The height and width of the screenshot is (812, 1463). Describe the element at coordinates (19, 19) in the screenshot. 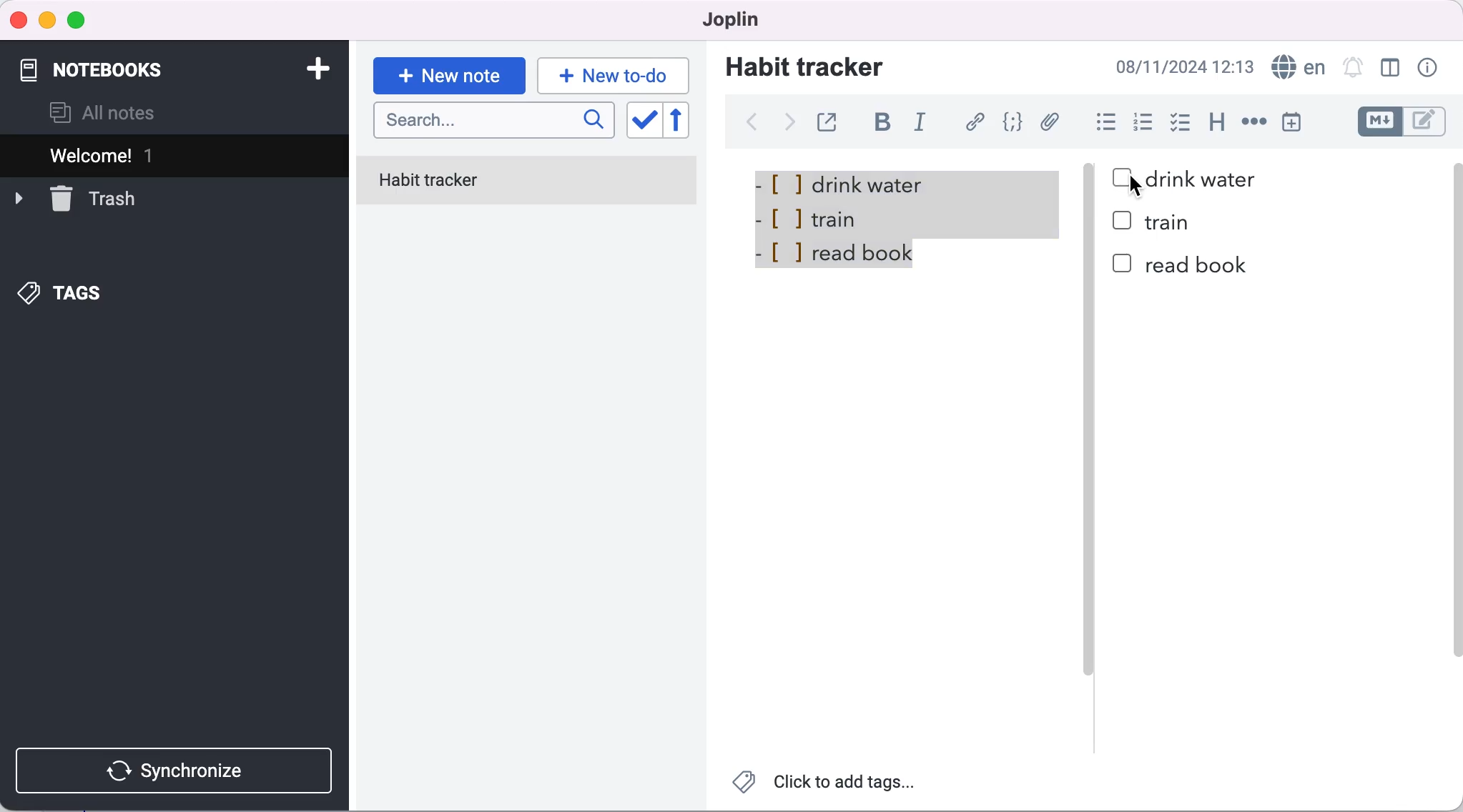

I see `close` at that location.